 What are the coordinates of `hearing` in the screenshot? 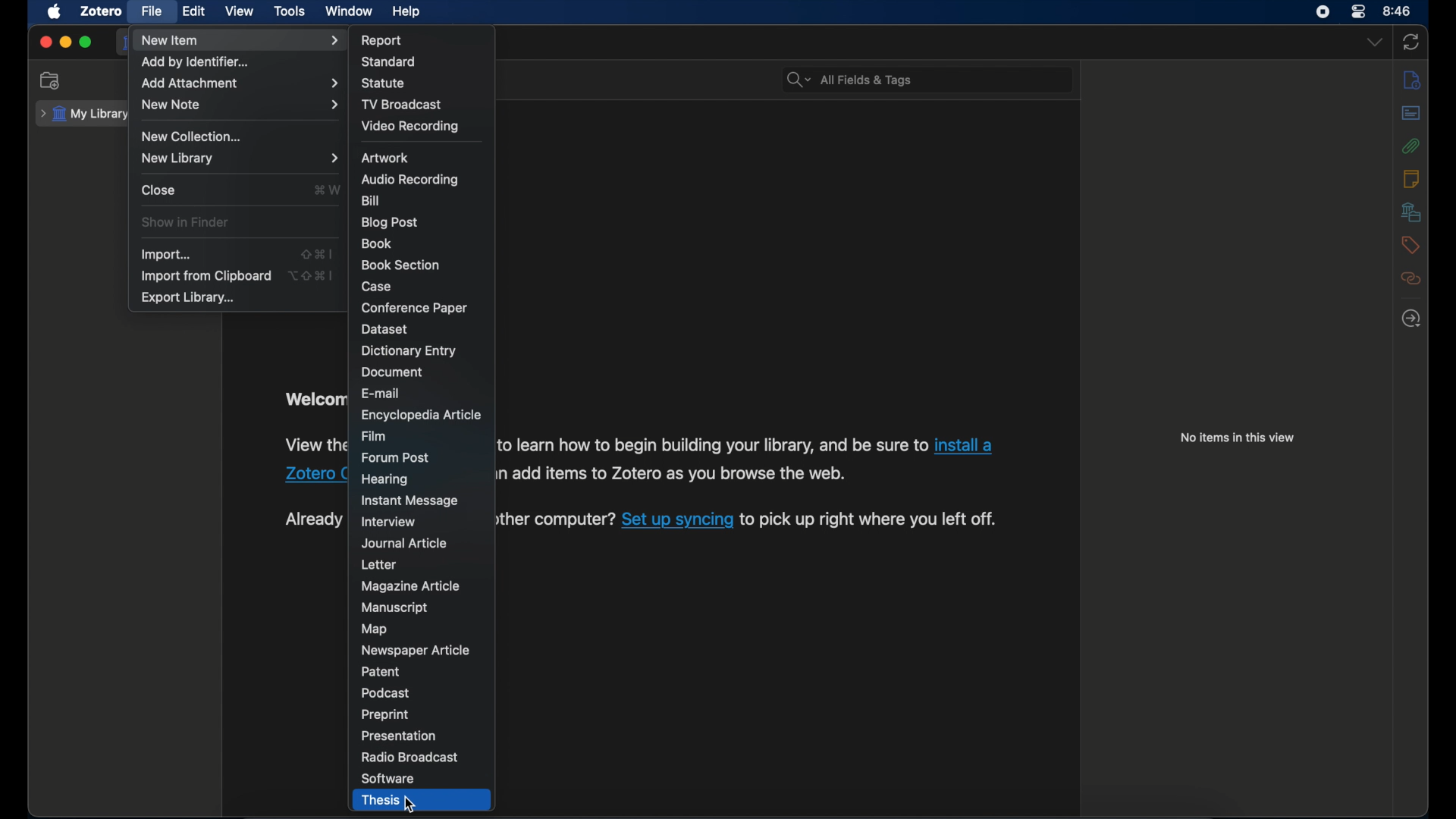 It's located at (387, 480).